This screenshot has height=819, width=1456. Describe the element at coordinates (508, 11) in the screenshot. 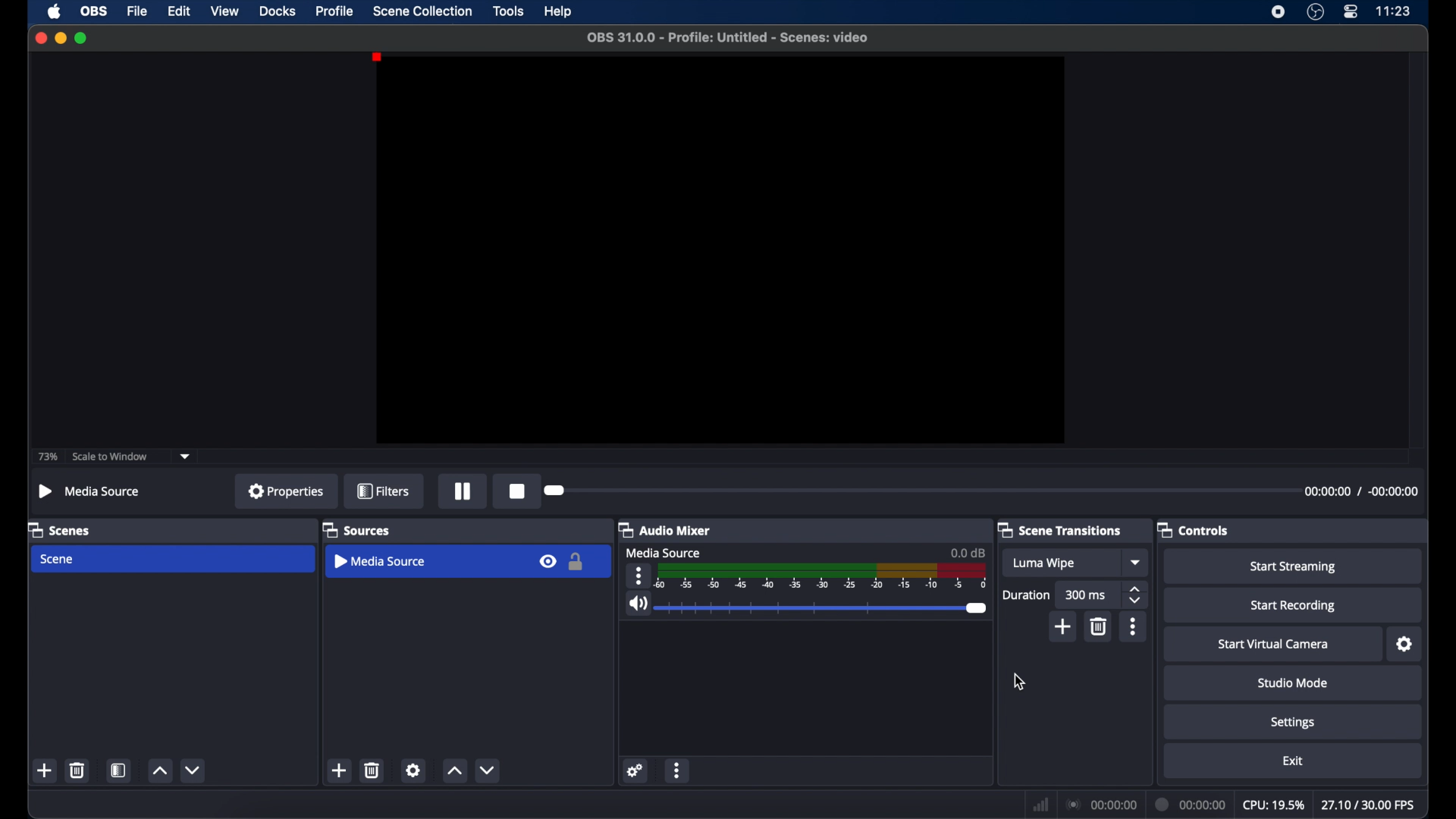

I see `tools` at that location.